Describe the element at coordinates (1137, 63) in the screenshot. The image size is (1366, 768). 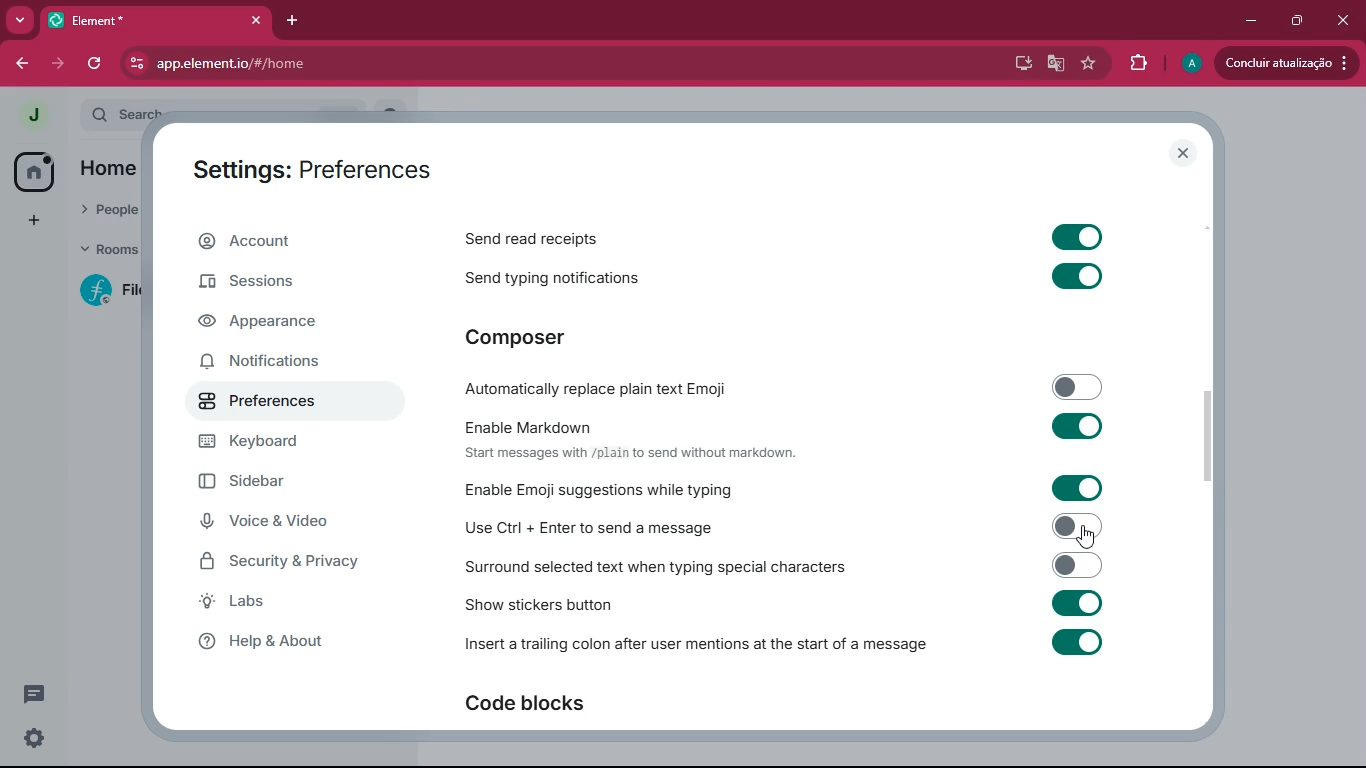
I see `extensions` at that location.